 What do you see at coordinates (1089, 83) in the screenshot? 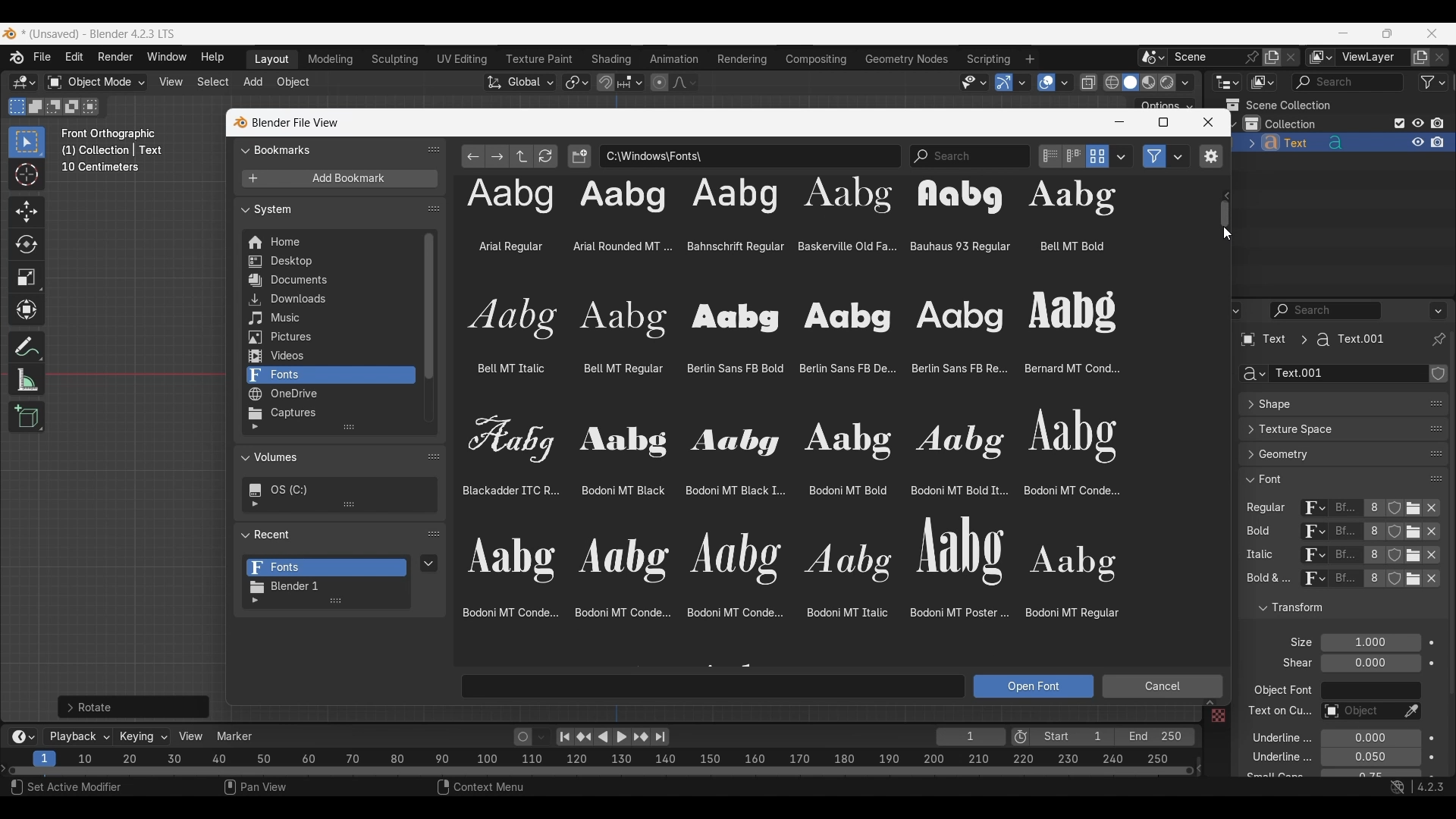
I see `Toggle X-ray` at bounding box center [1089, 83].